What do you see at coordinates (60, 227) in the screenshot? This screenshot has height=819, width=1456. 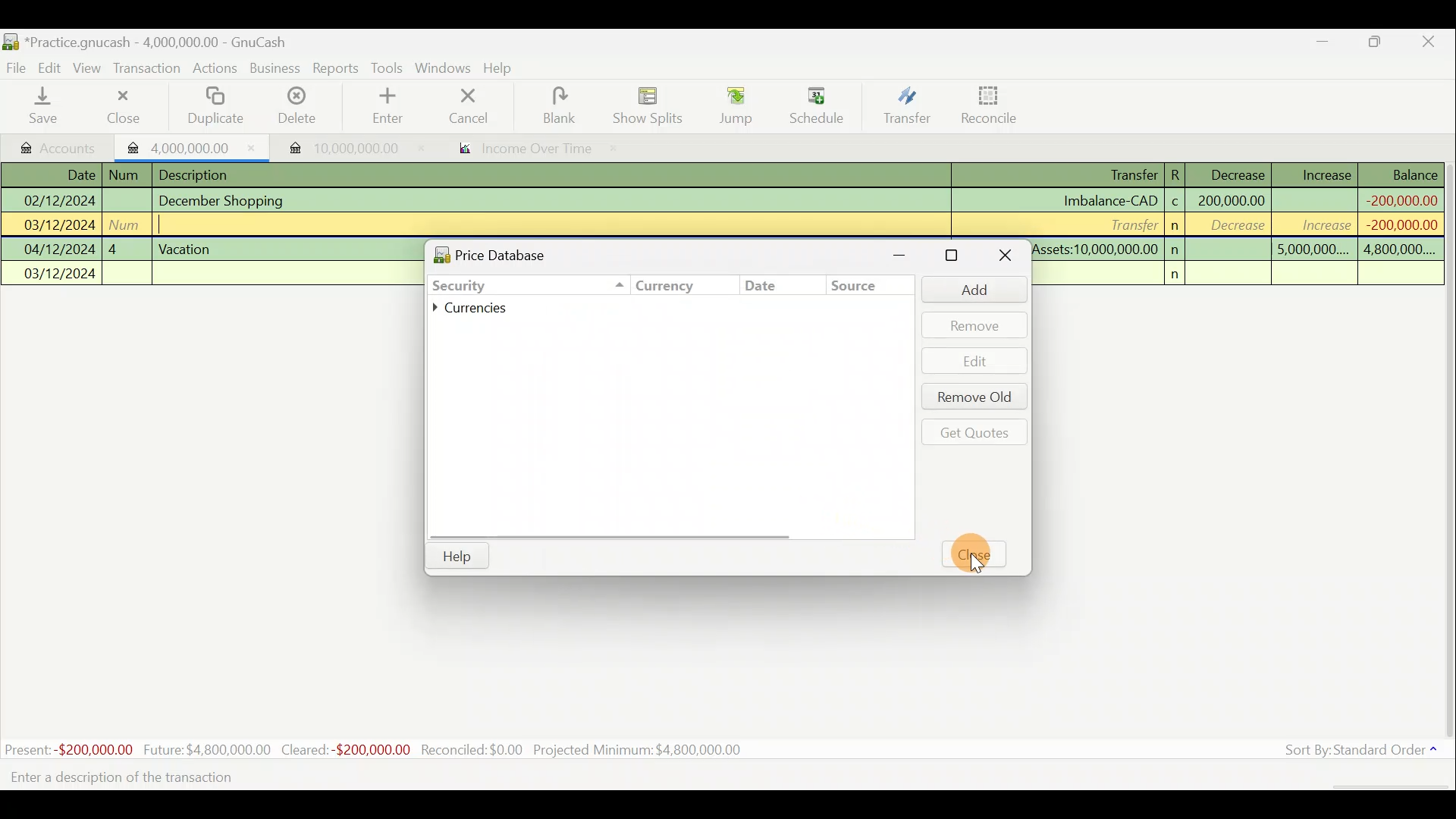 I see `03/12/2024` at bounding box center [60, 227].